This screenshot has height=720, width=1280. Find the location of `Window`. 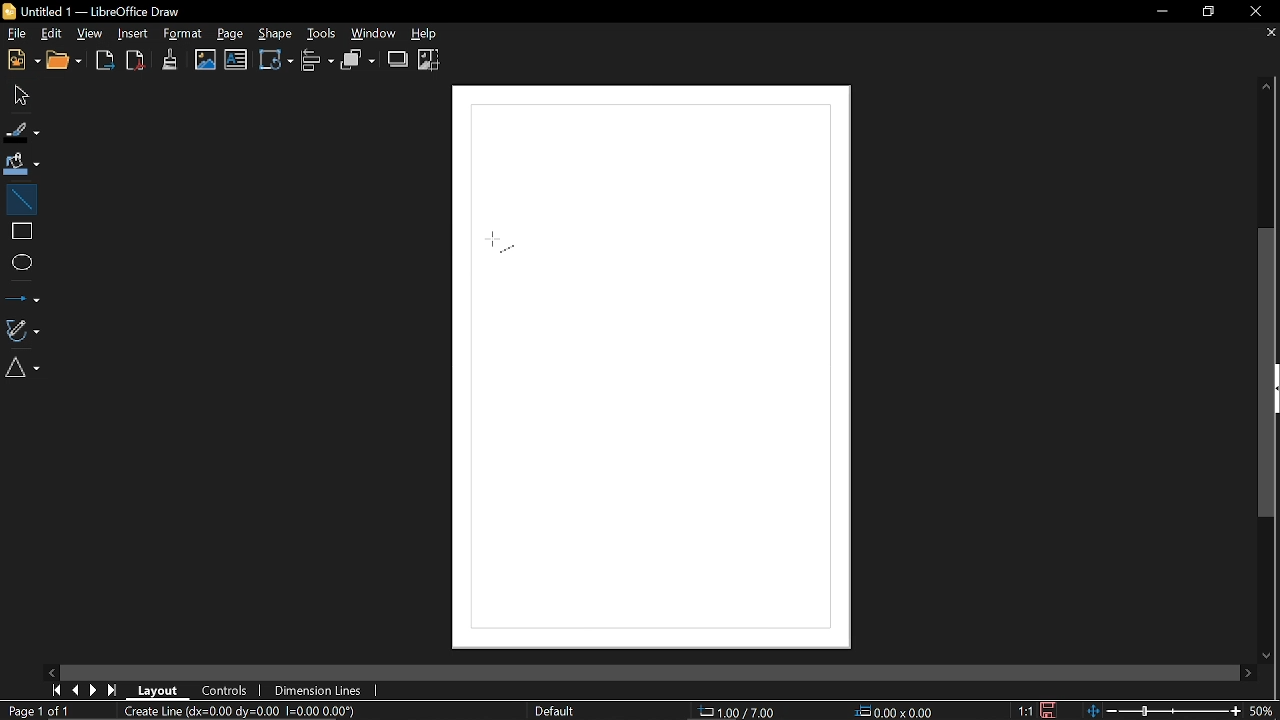

Window is located at coordinates (377, 34).